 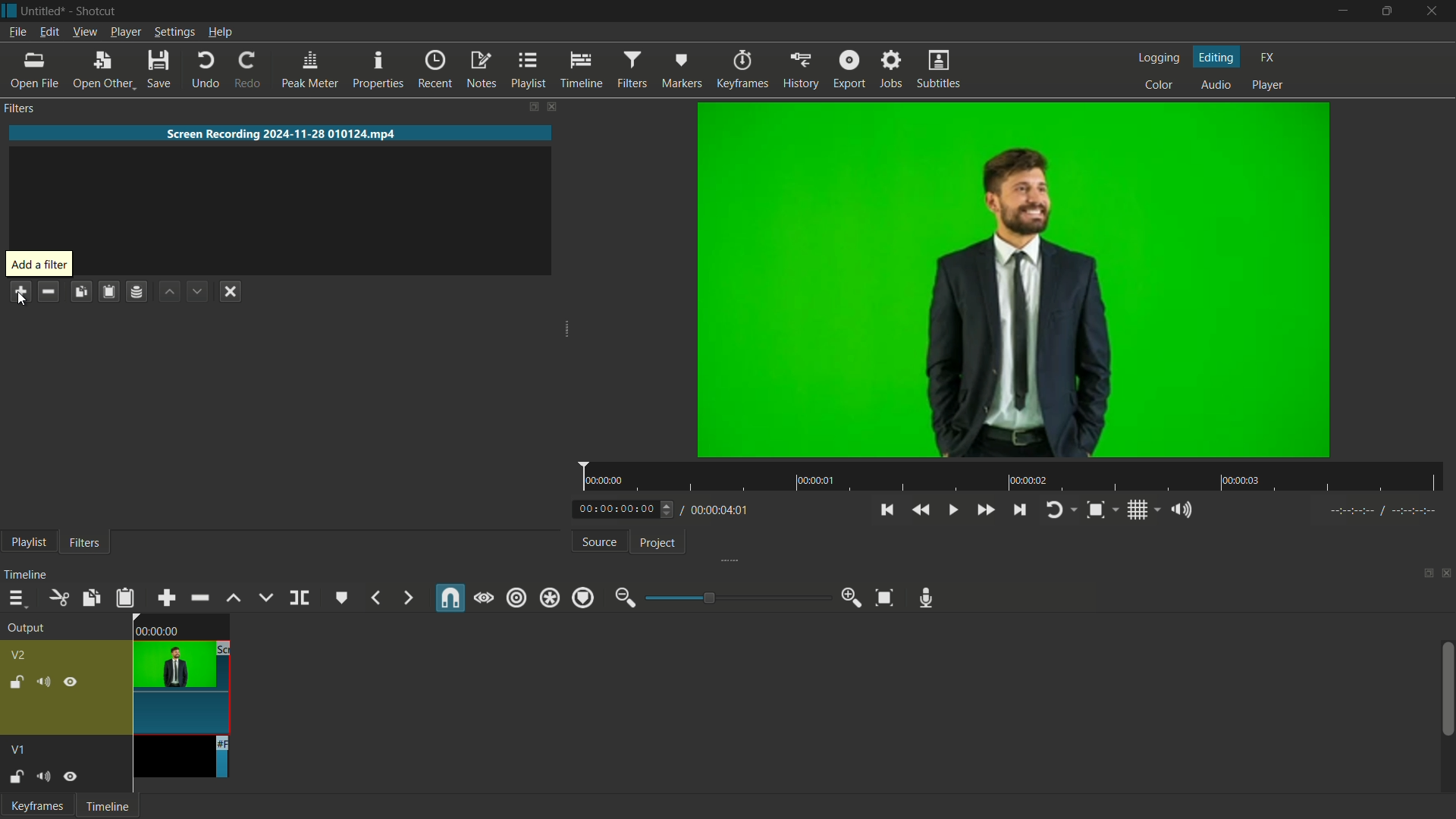 What do you see at coordinates (138, 291) in the screenshot?
I see `save filter set` at bounding box center [138, 291].